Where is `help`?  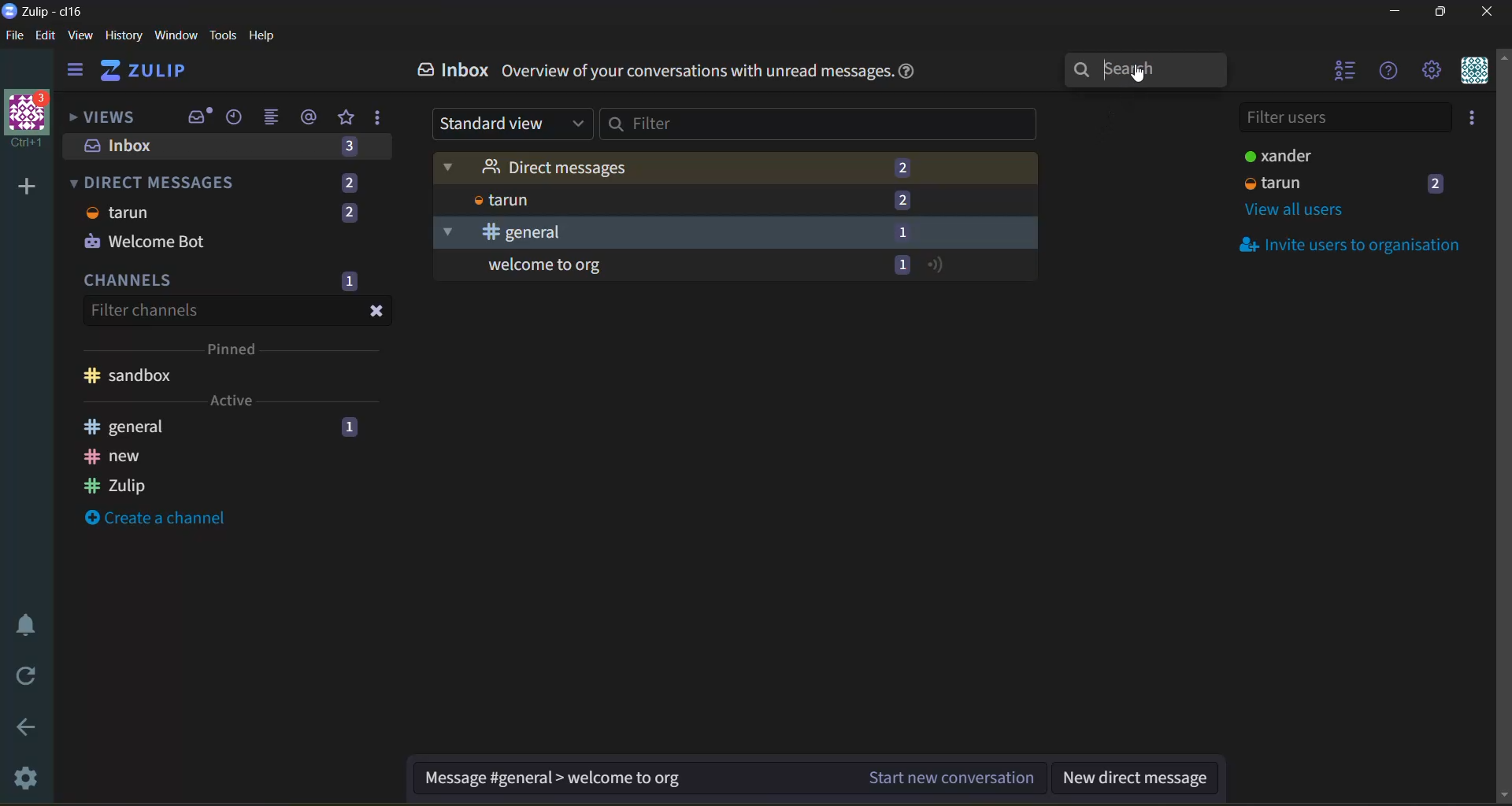
help is located at coordinates (908, 72).